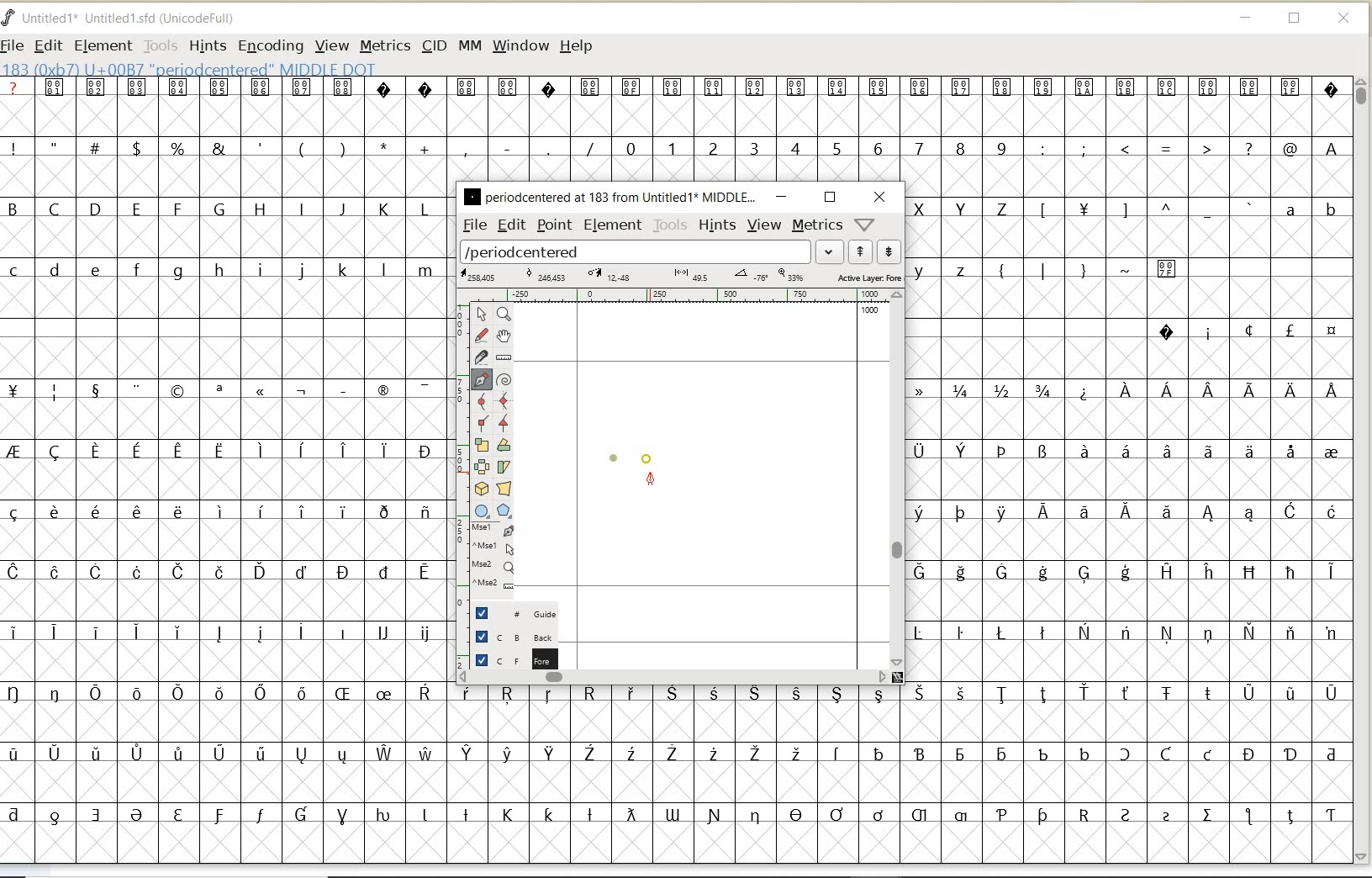 This screenshot has width=1372, height=878. I want to click on TOOLS, so click(161, 45).